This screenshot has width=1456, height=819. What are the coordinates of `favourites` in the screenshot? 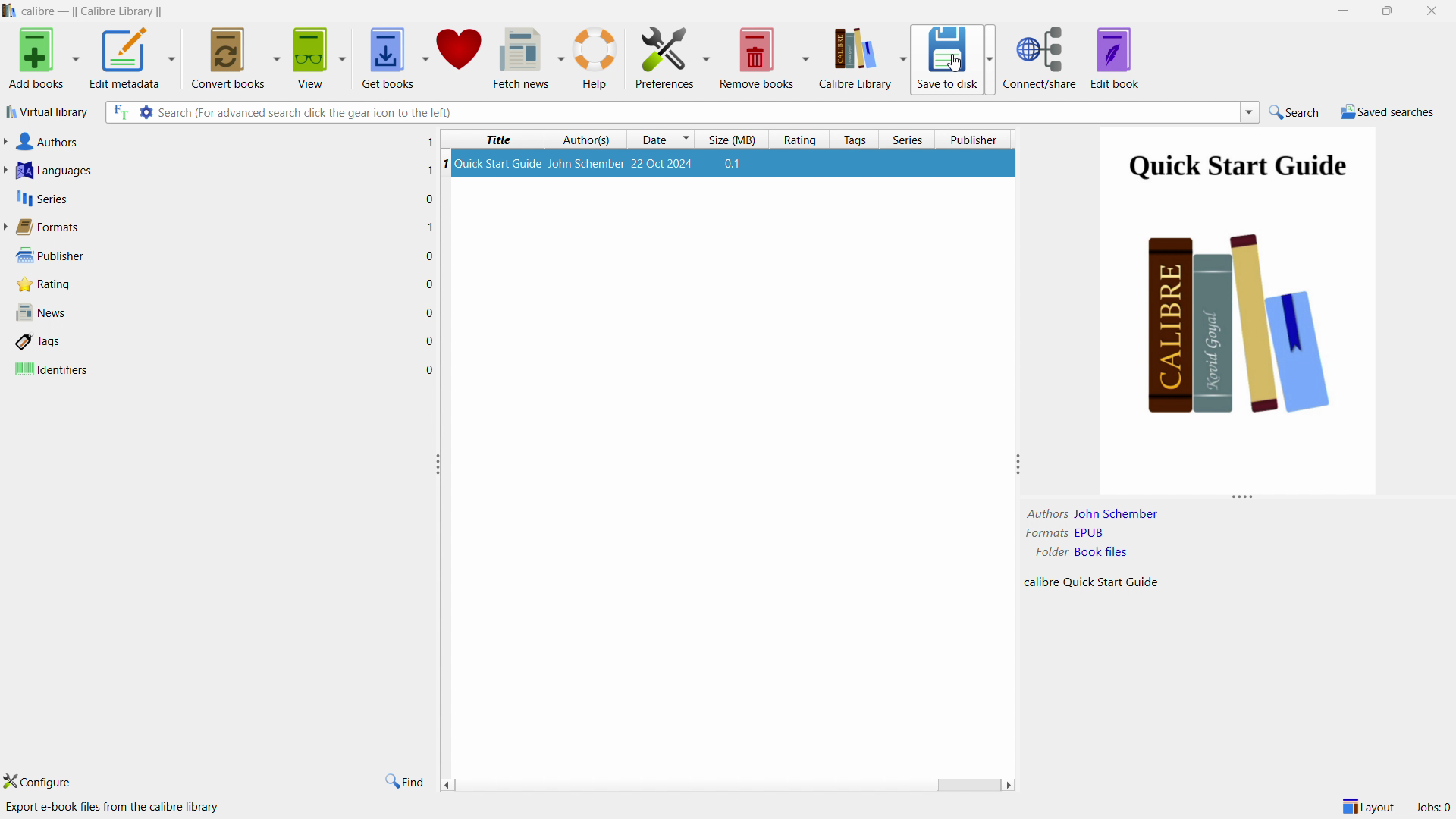 It's located at (457, 55).